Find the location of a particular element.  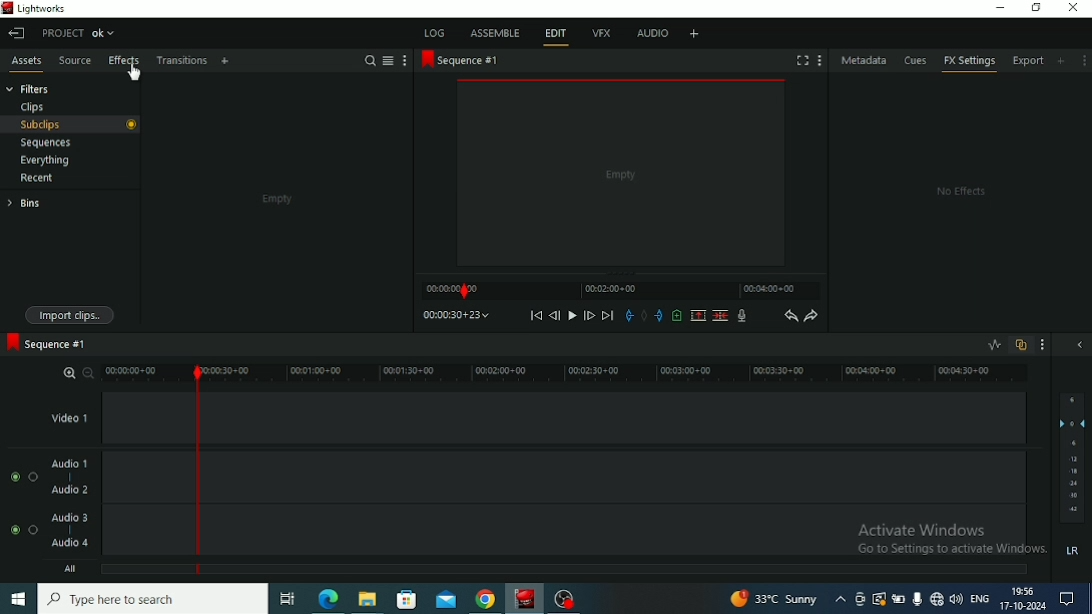

battery is located at coordinates (900, 599).